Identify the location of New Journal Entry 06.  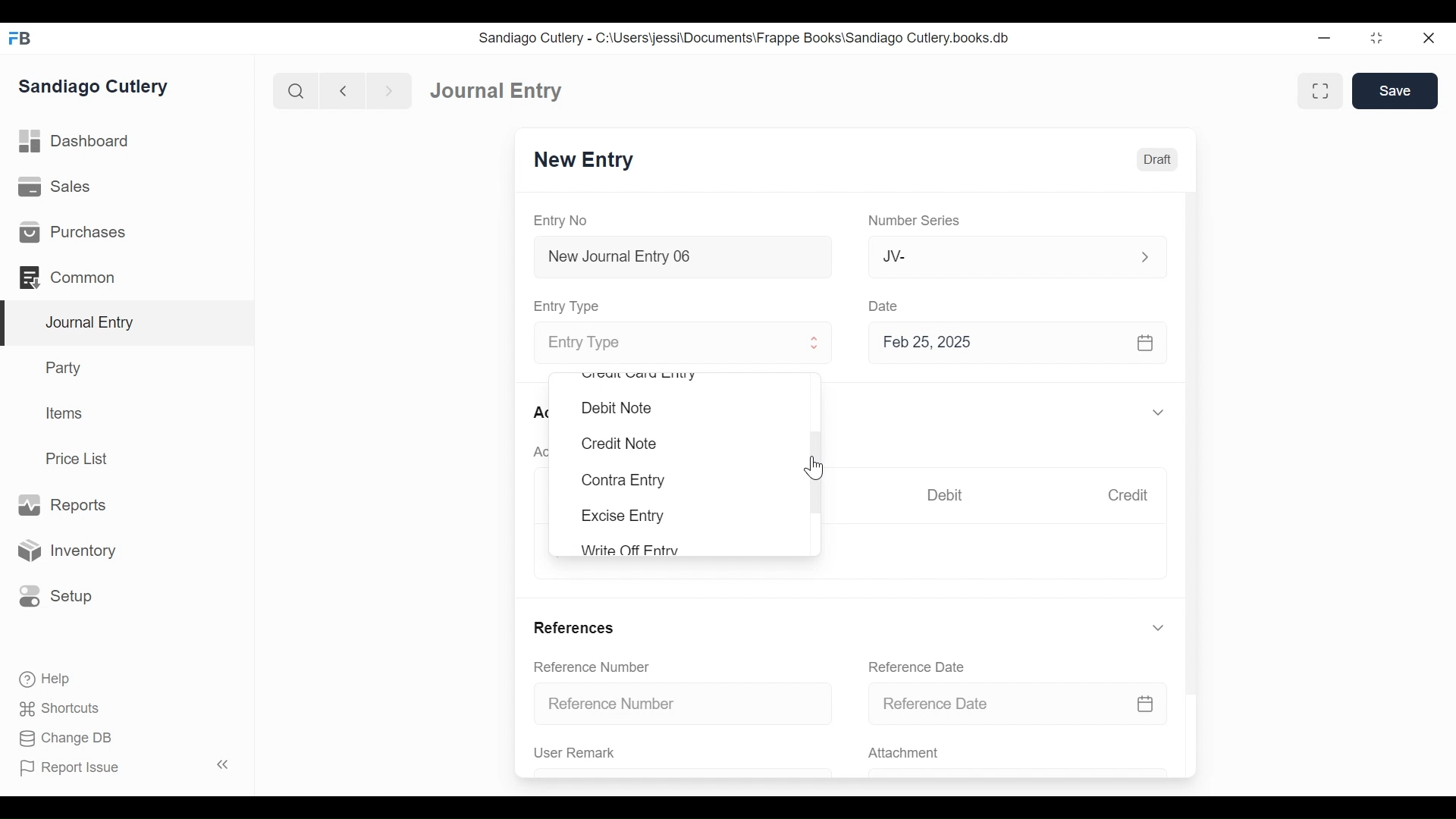
(680, 259).